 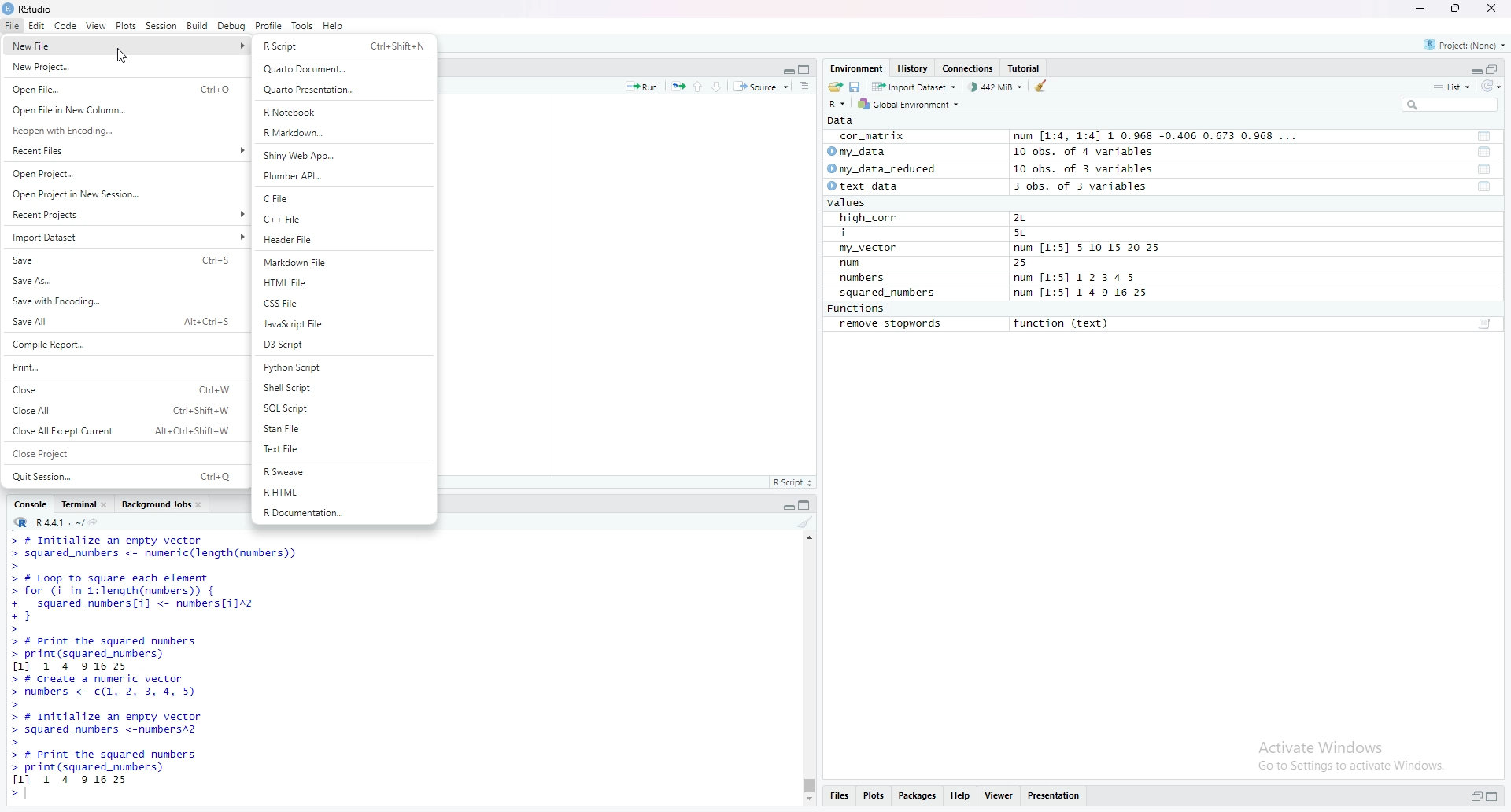 I want to click on Maximize, so click(x=1457, y=8).